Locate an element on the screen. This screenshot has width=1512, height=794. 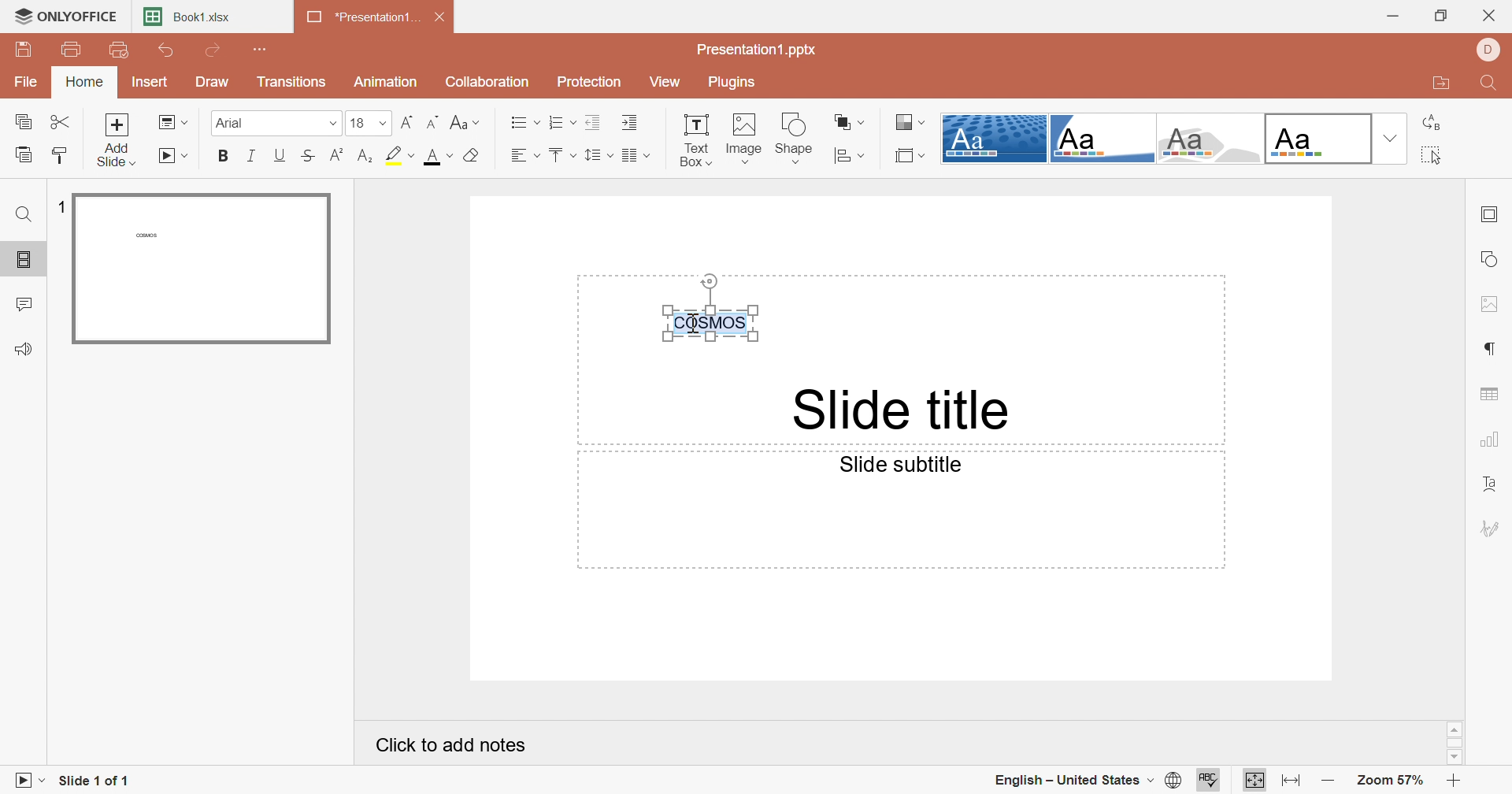
Click to add notes is located at coordinates (444, 742).